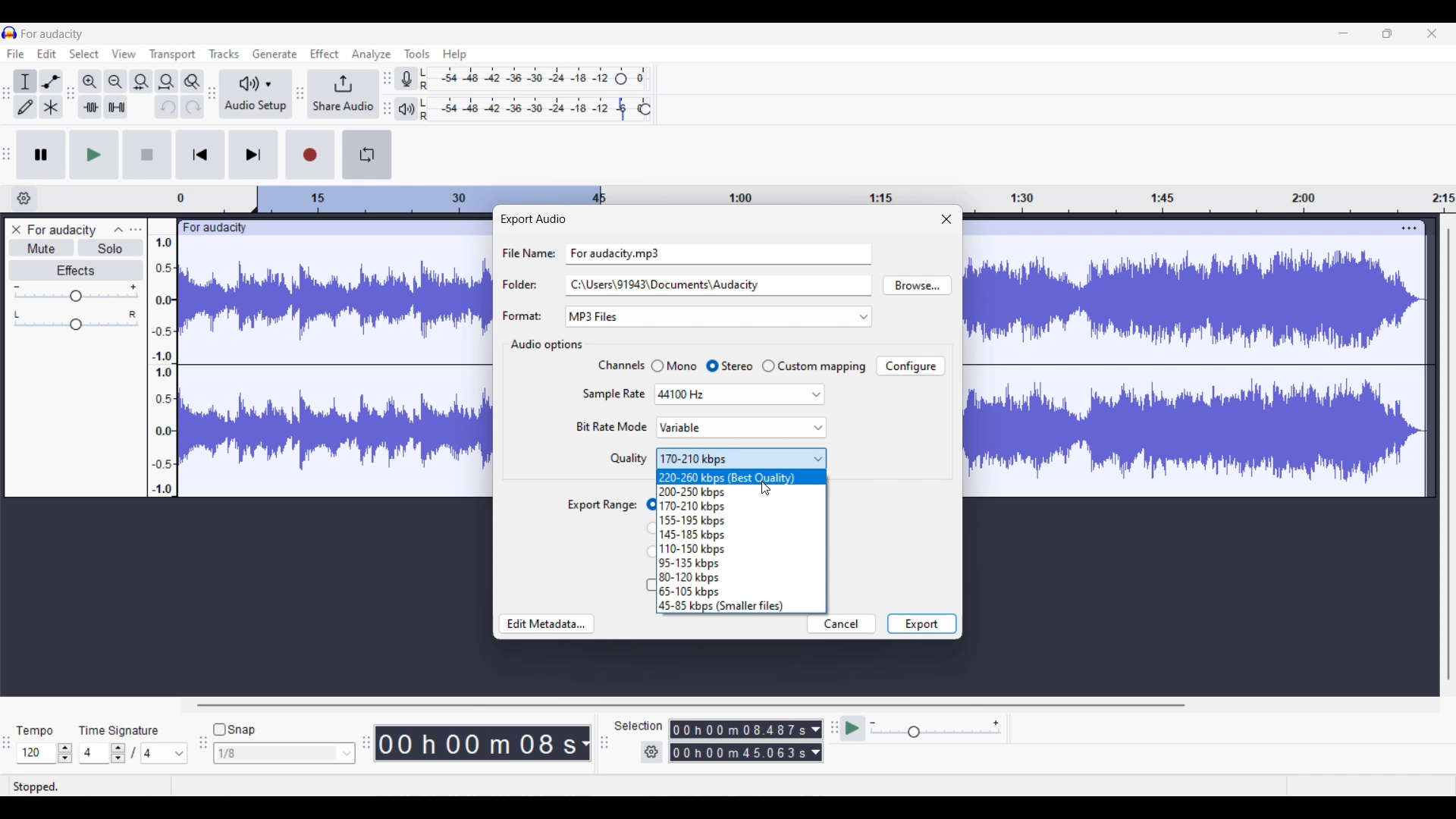  What do you see at coordinates (65, 753) in the screenshot?
I see `Increase/Decrease tempo` at bounding box center [65, 753].